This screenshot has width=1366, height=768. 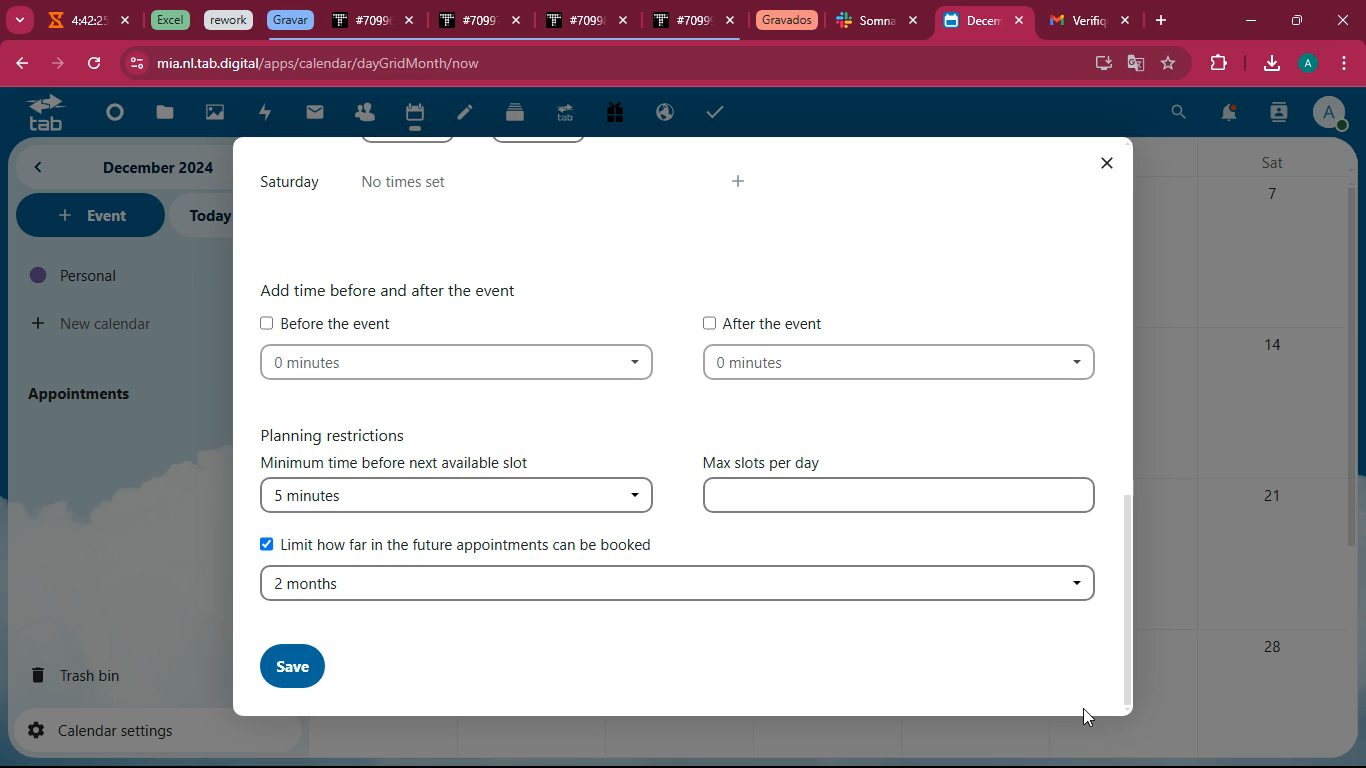 I want to click on user, so click(x=1278, y=115).